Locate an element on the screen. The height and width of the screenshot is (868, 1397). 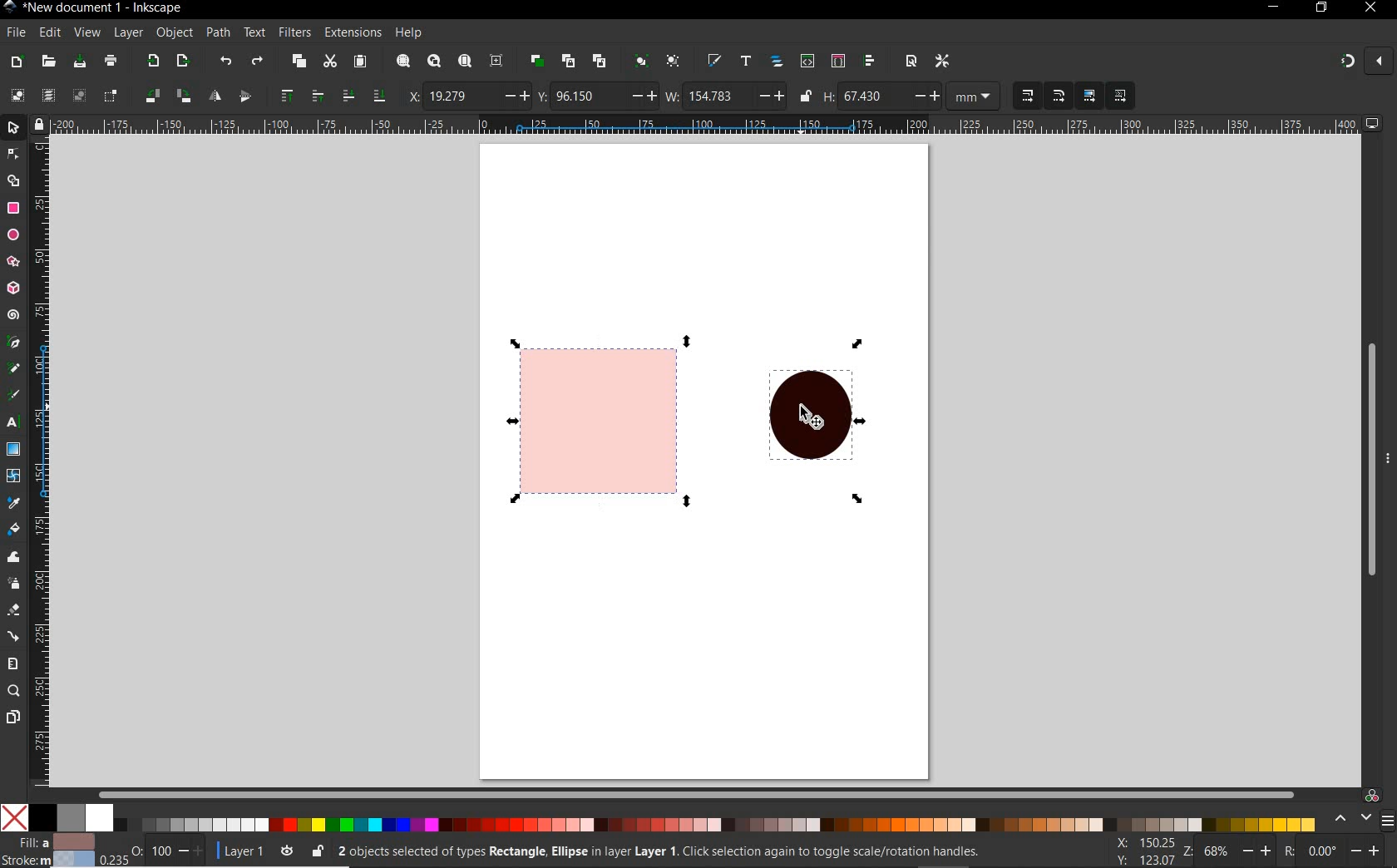
open preferances is located at coordinates (942, 62).